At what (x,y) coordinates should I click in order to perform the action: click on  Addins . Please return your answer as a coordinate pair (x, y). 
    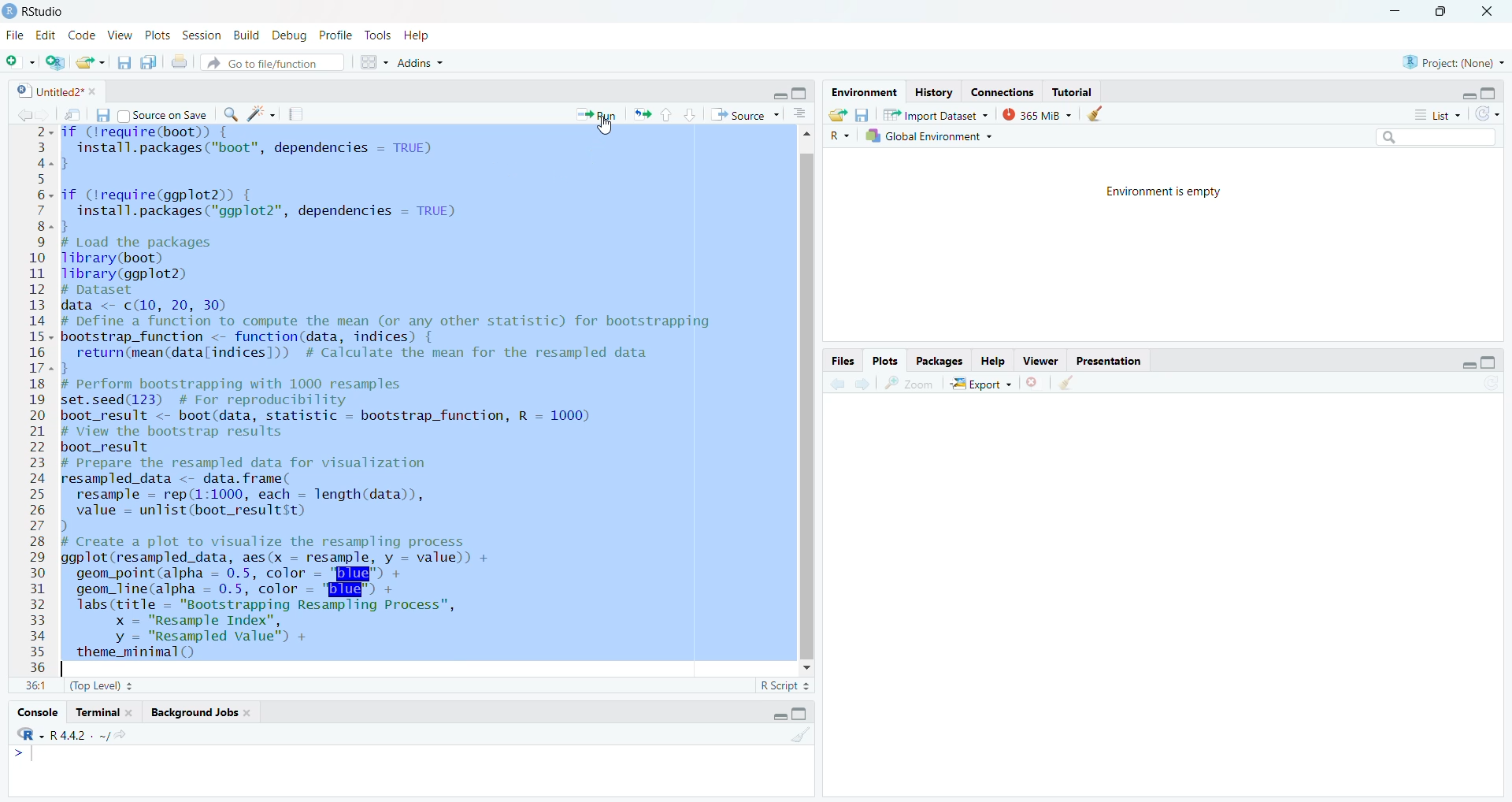
    Looking at the image, I should click on (423, 61).